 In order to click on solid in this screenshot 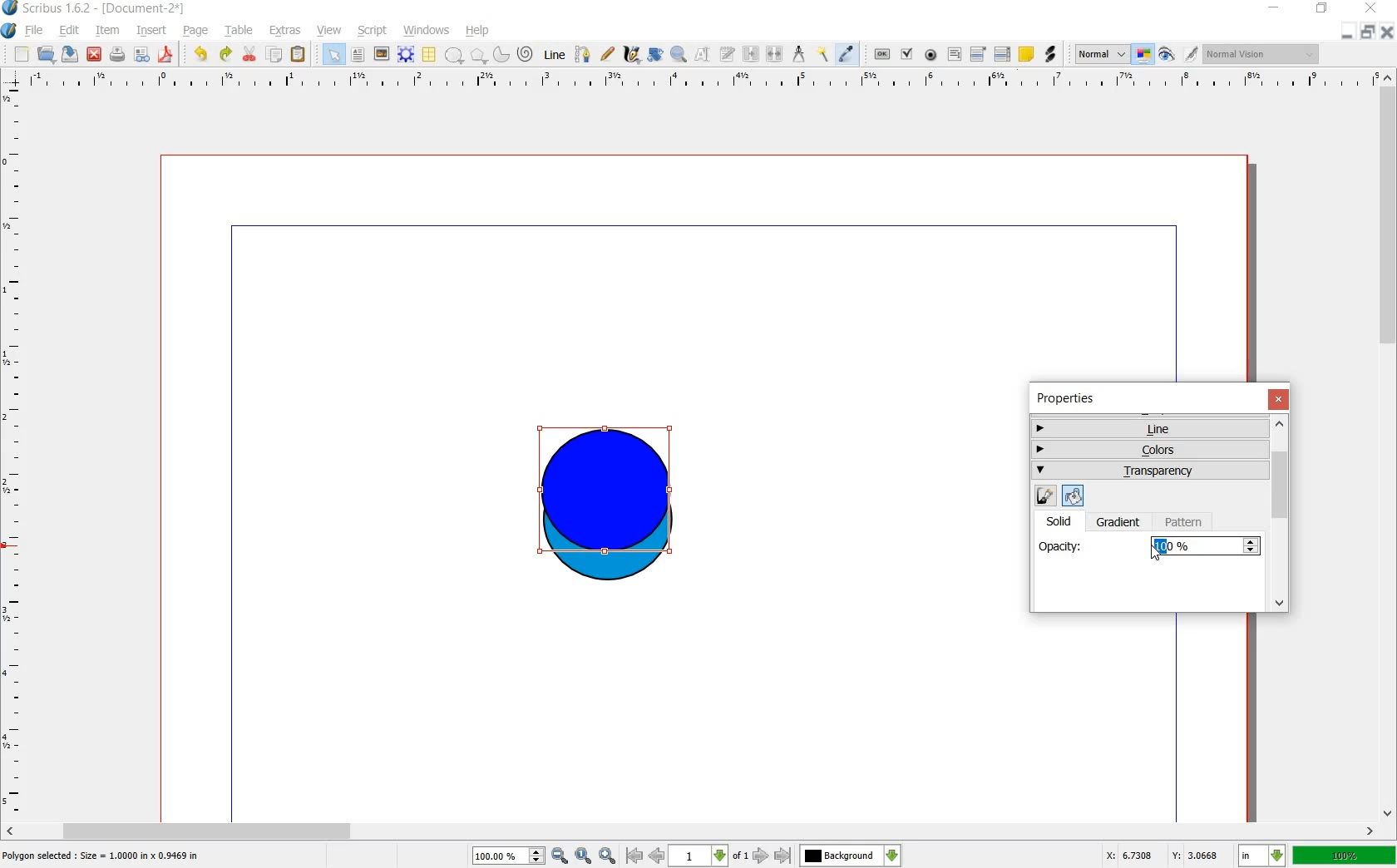, I will do `click(1065, 520)`.